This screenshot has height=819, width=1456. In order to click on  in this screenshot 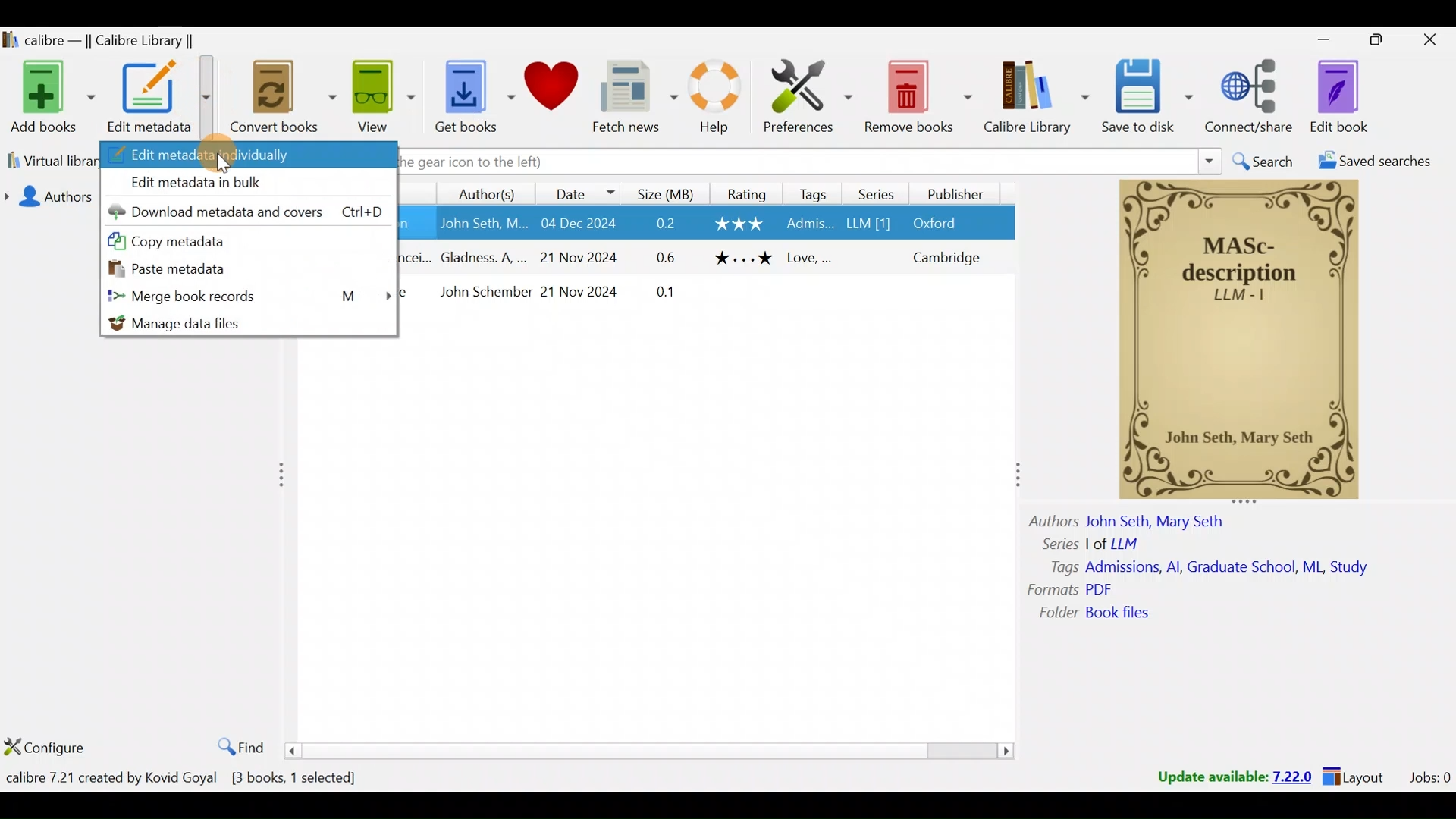, I will do `click(742, 259)`.